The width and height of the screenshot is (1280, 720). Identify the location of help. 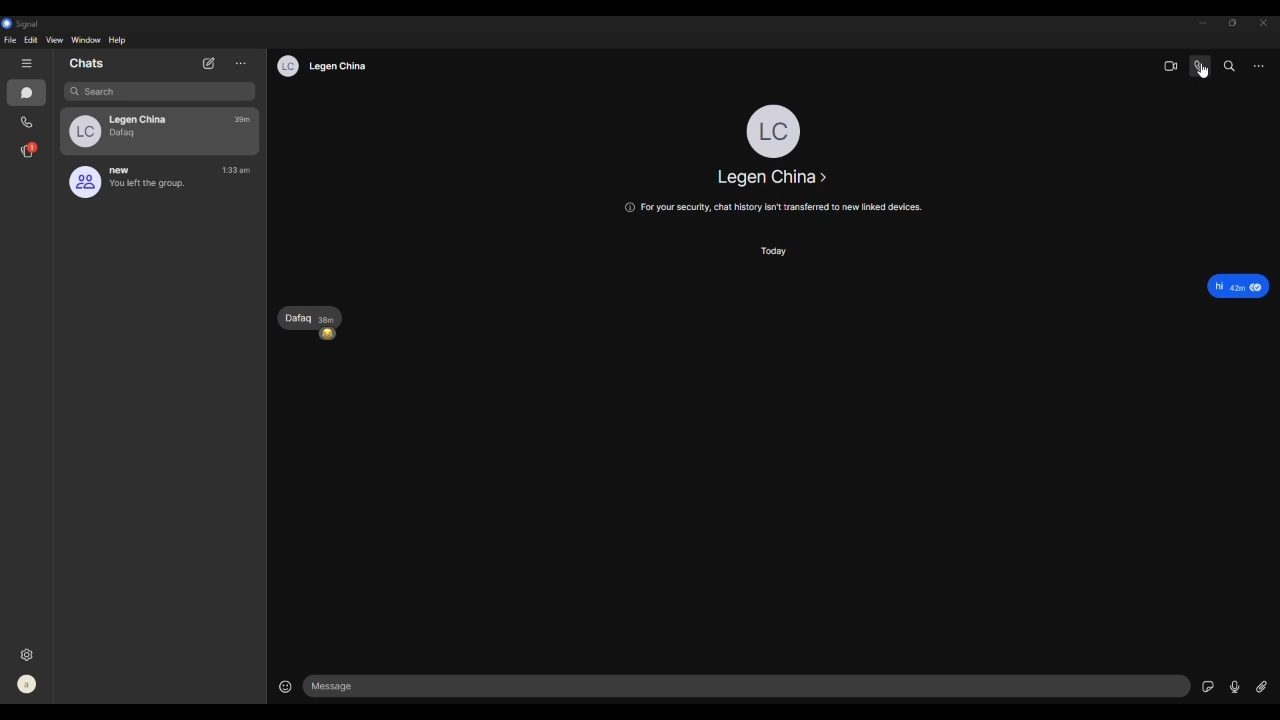
(120, 41).